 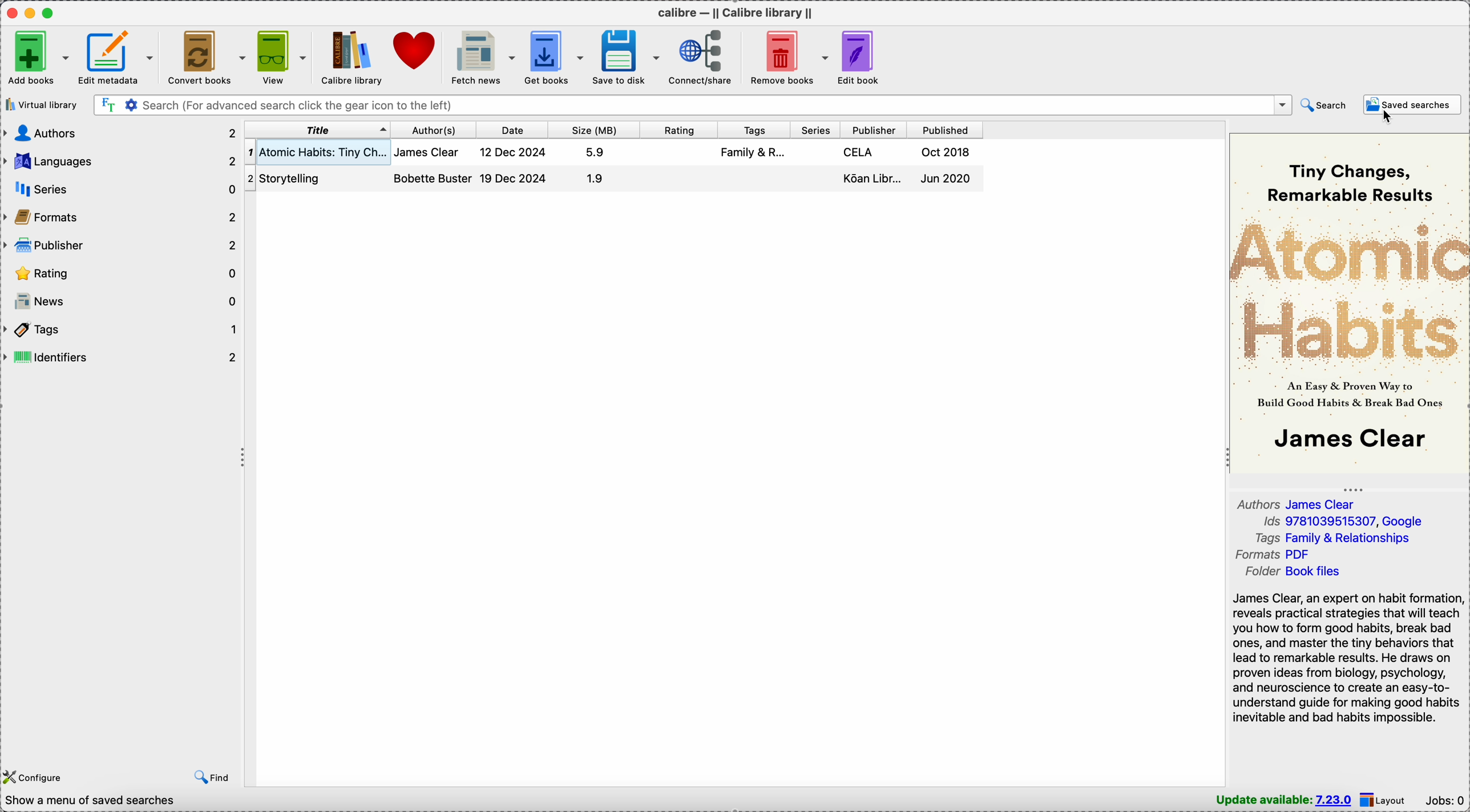 What do you see at coordinates (11, 13) in the screenshot?
I see ` close Calibre` at bounding box center [11, 13].